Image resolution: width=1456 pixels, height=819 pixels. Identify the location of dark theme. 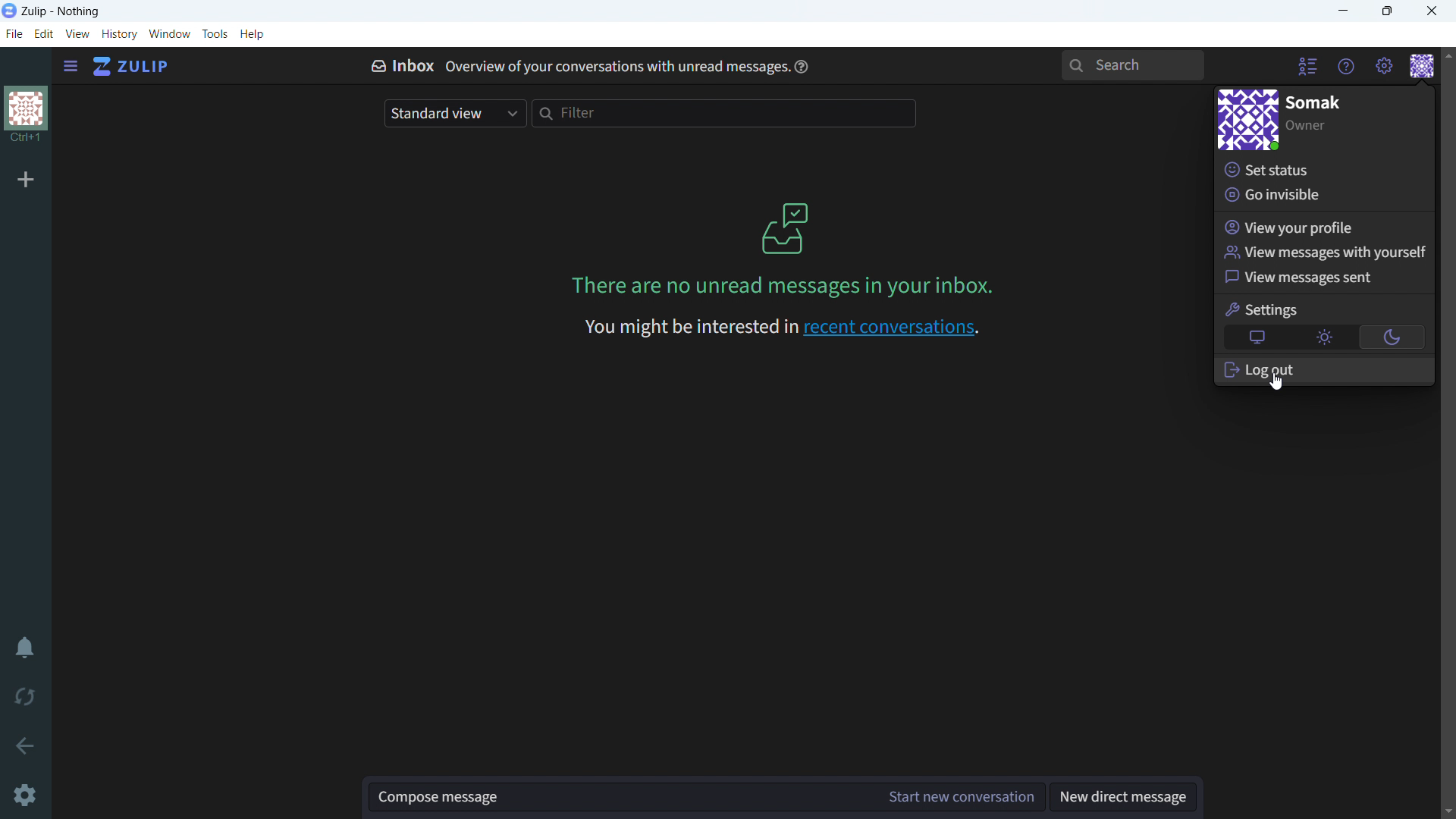
(1391, 337).